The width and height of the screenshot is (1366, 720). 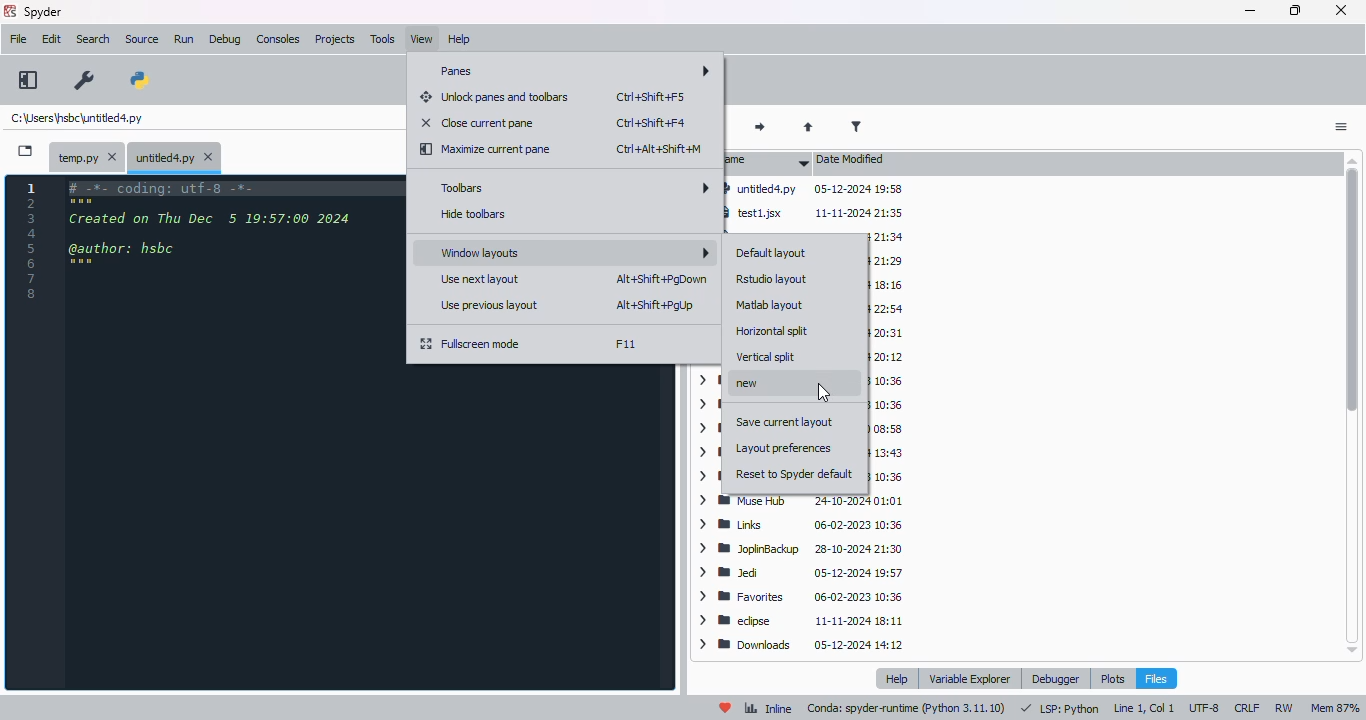 I want to click on projects, so click(x=335, y=39).